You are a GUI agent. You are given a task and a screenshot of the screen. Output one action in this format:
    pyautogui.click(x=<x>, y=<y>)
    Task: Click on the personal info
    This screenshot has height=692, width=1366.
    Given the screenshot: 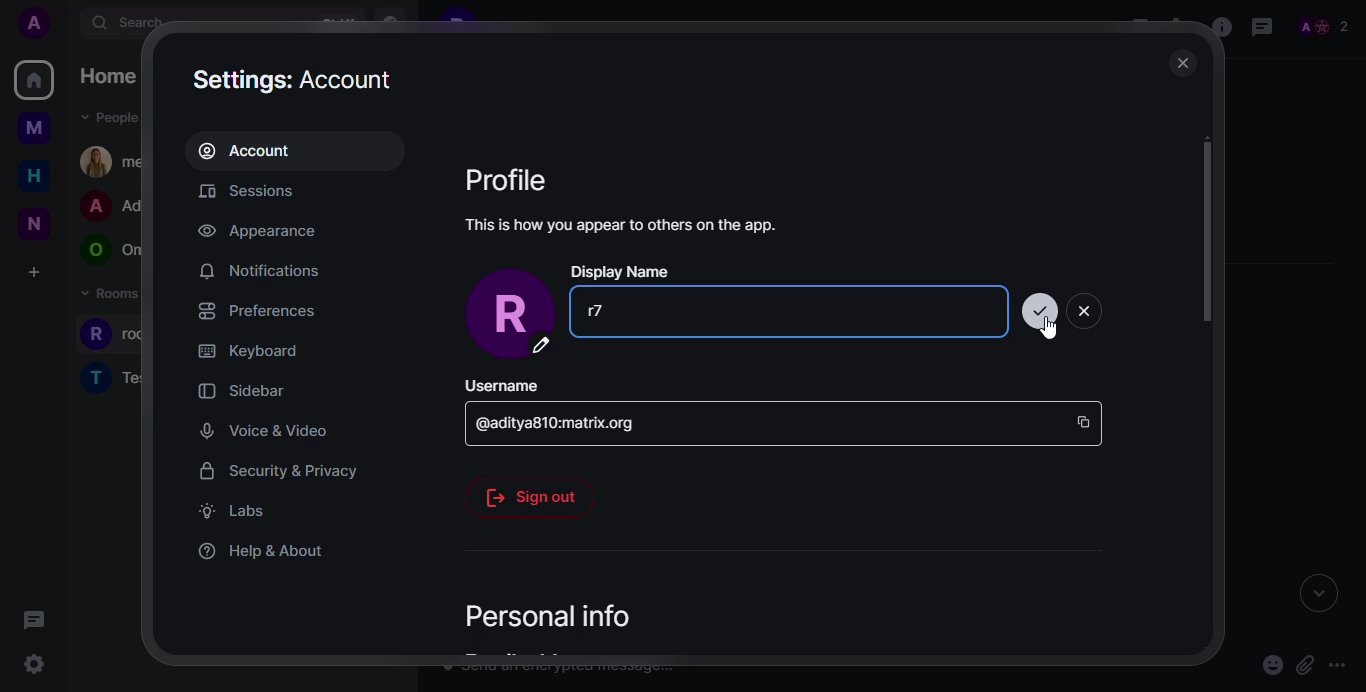 What is the action you would take?
    pyautogui.click(x=552, y=614)
    